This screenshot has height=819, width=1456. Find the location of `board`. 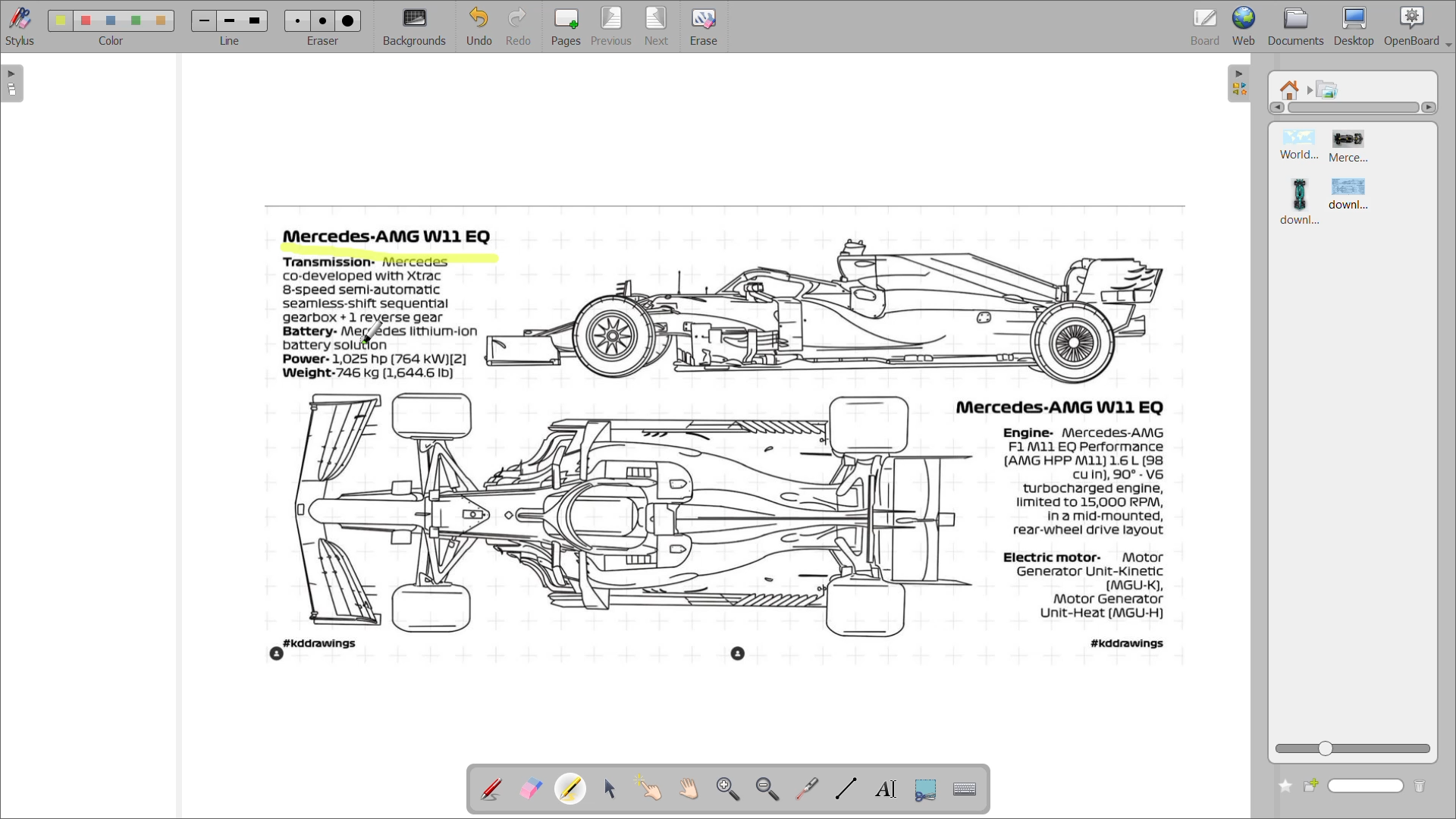

board is located at coordinates (1205, 27).